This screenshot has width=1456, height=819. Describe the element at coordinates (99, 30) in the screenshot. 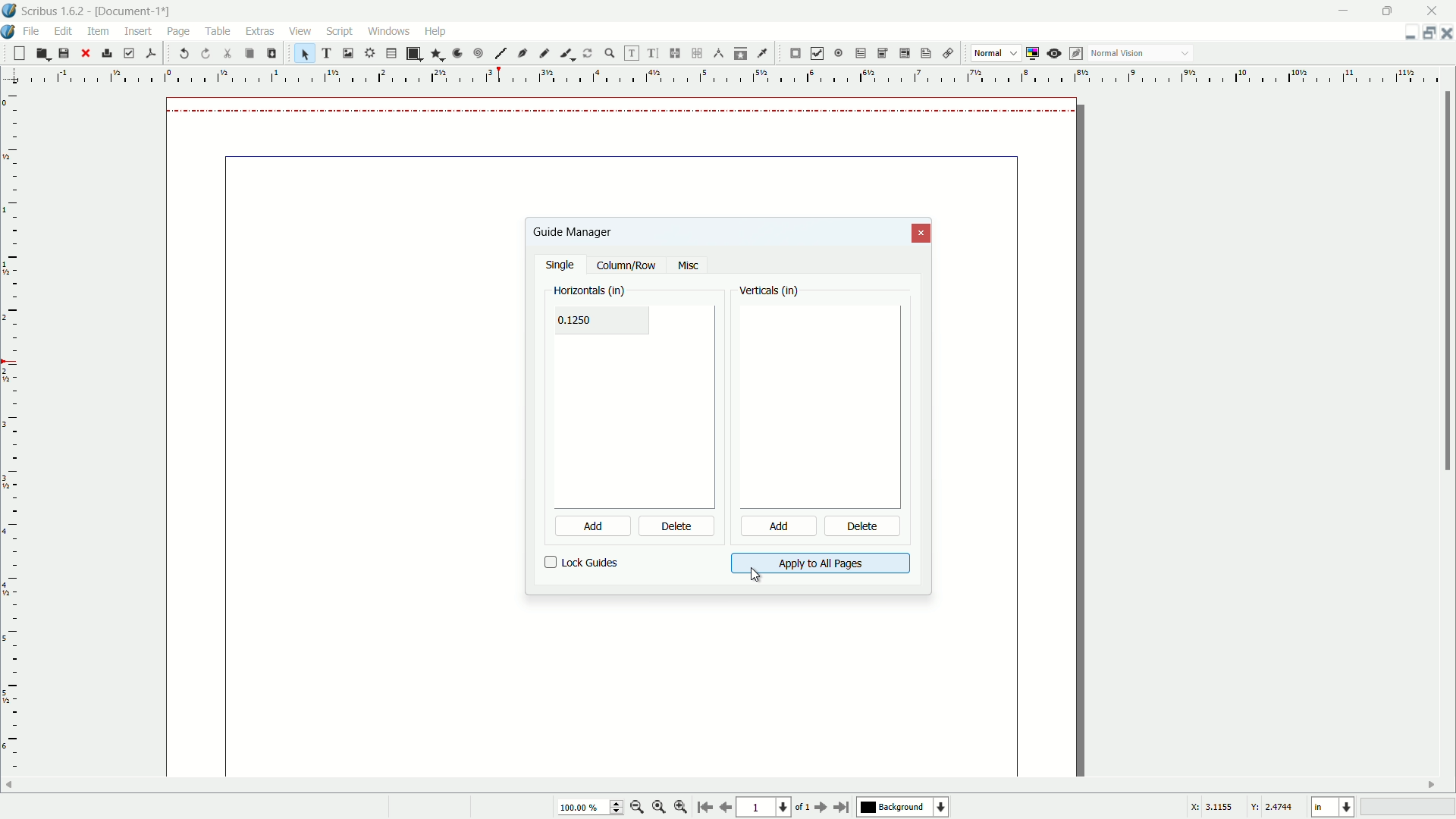

I see `item menu` at that location.